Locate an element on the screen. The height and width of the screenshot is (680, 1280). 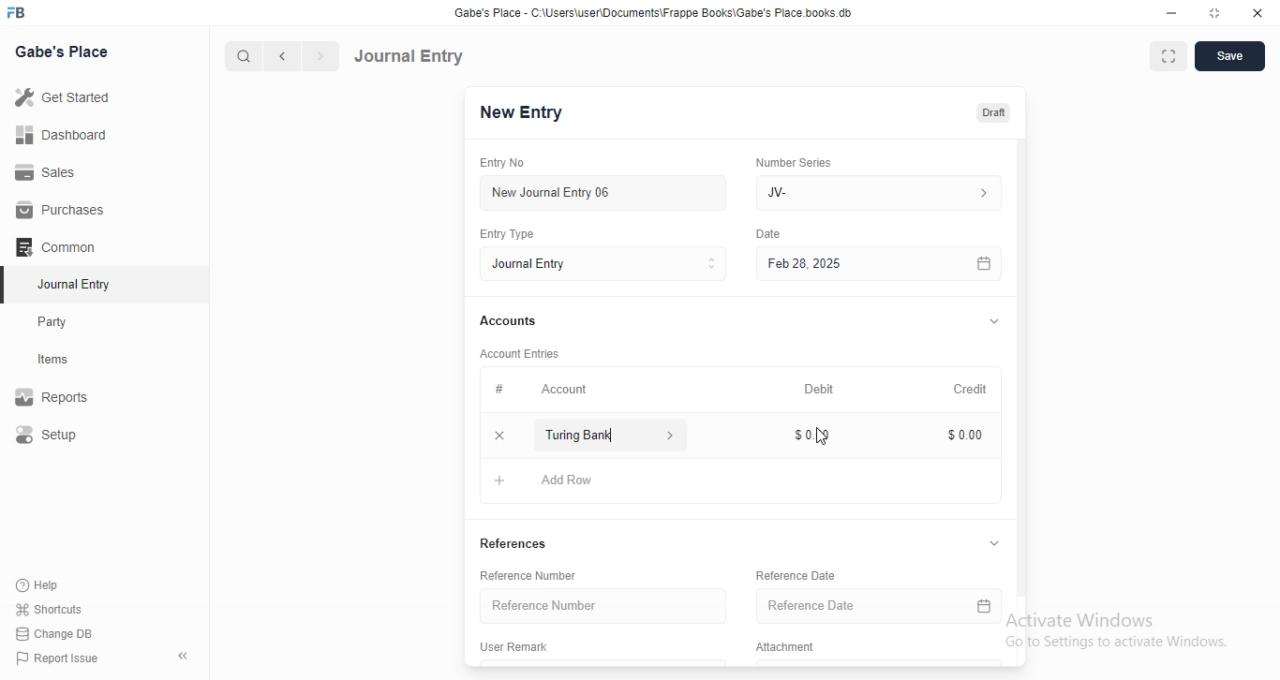
Common is located at coordinates (61, 247).